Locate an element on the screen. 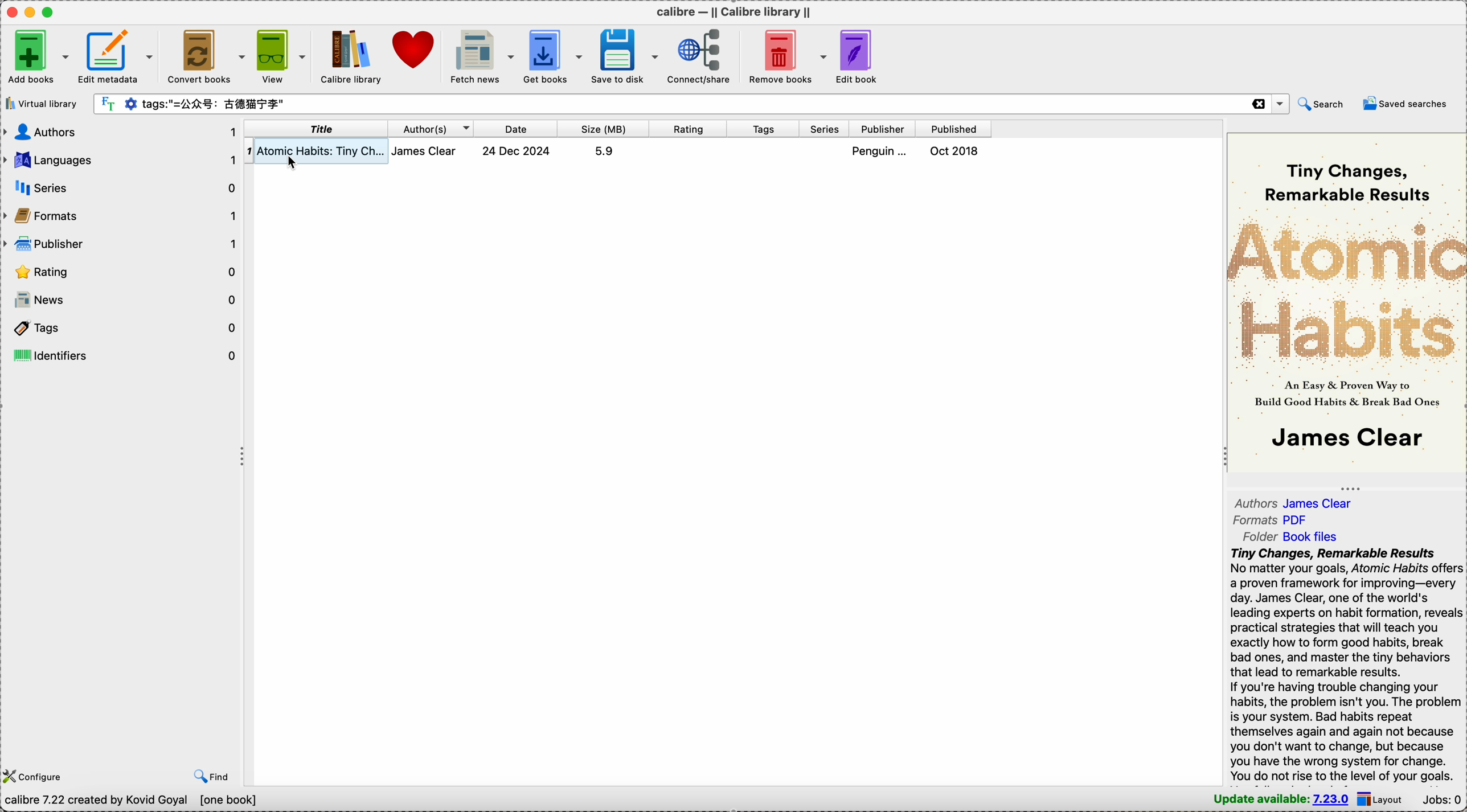 The height and width of the screenshot is (812, 1467). author(s) is located at coordinates (435, 130).